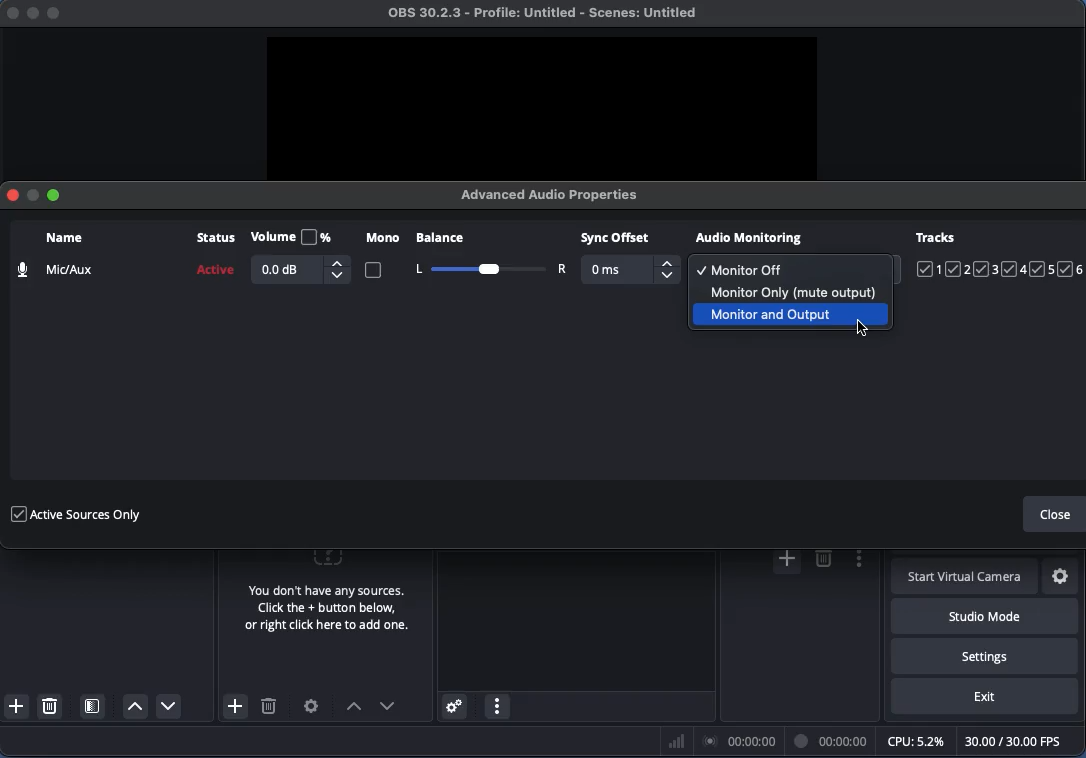 The width and height of the screenshot is (1086, 758). What do you see at coordinates (233, 706) in the screenshot?
I see `Add source` at bounding box center [233, 706].